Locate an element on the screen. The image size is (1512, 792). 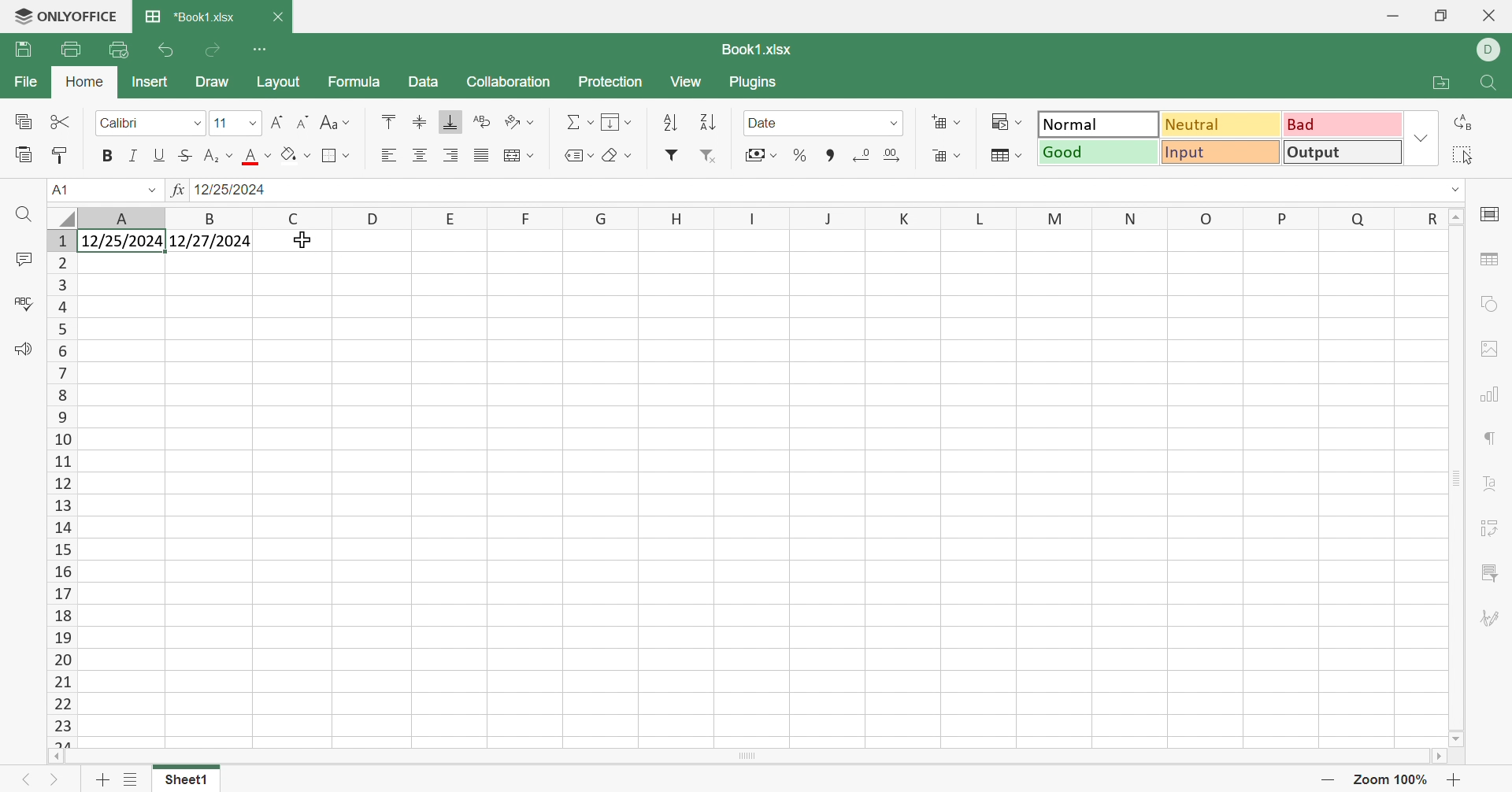
Fill color is located at coordinates (299, 154).